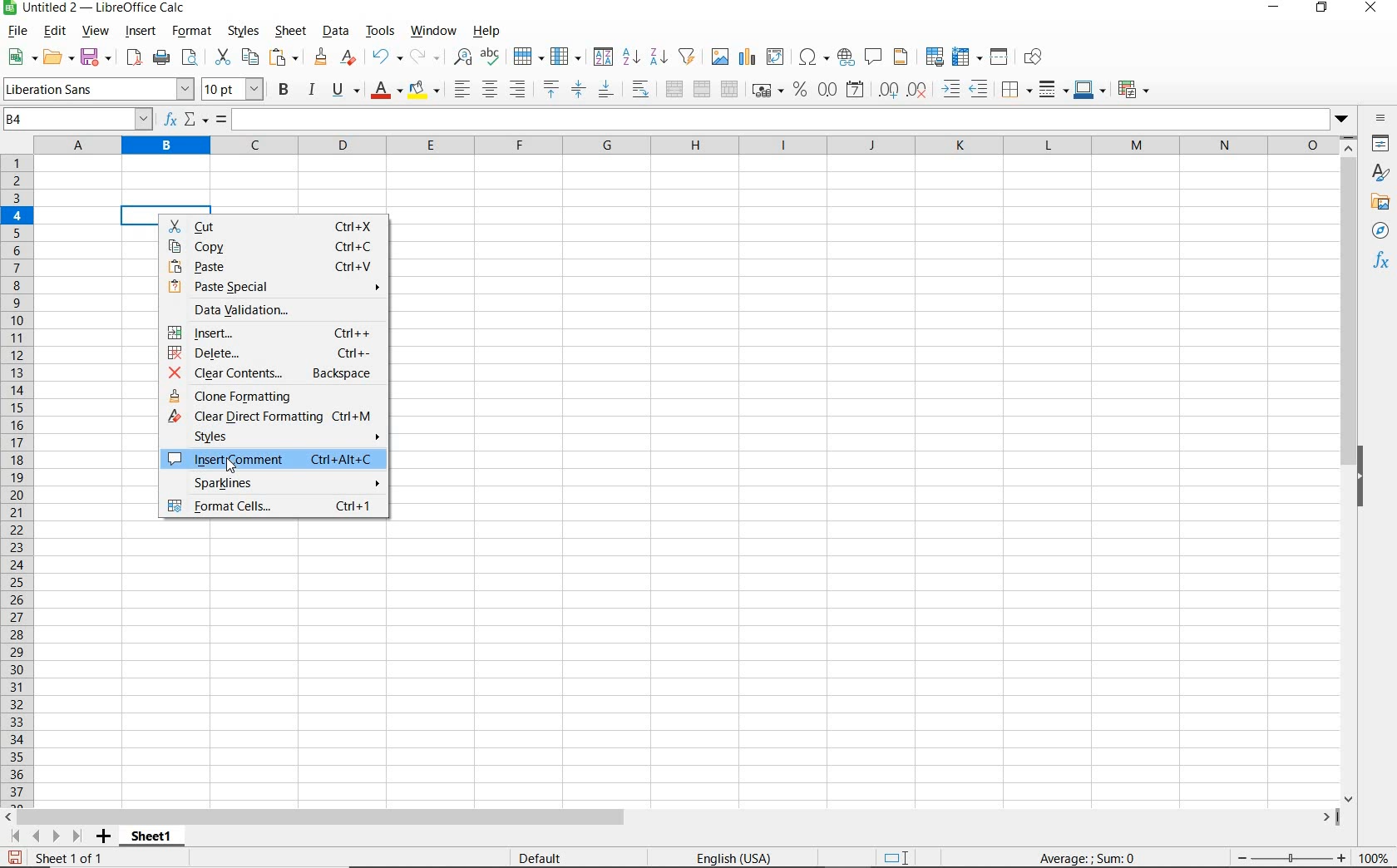  What do you see at coordinates (744, 857) in the screenshot?
I see `English(USA)` at bounding box center [744, 857].